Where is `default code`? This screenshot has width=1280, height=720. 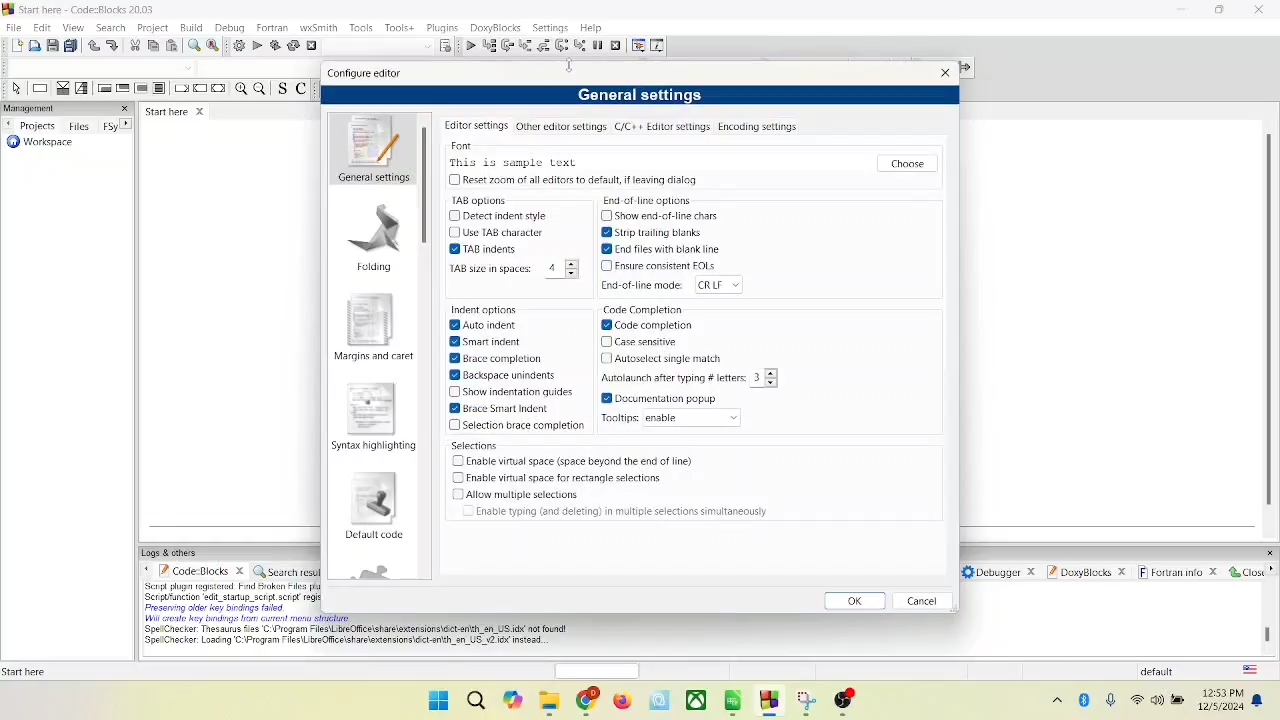 default code is located at coordinates (374, 510).